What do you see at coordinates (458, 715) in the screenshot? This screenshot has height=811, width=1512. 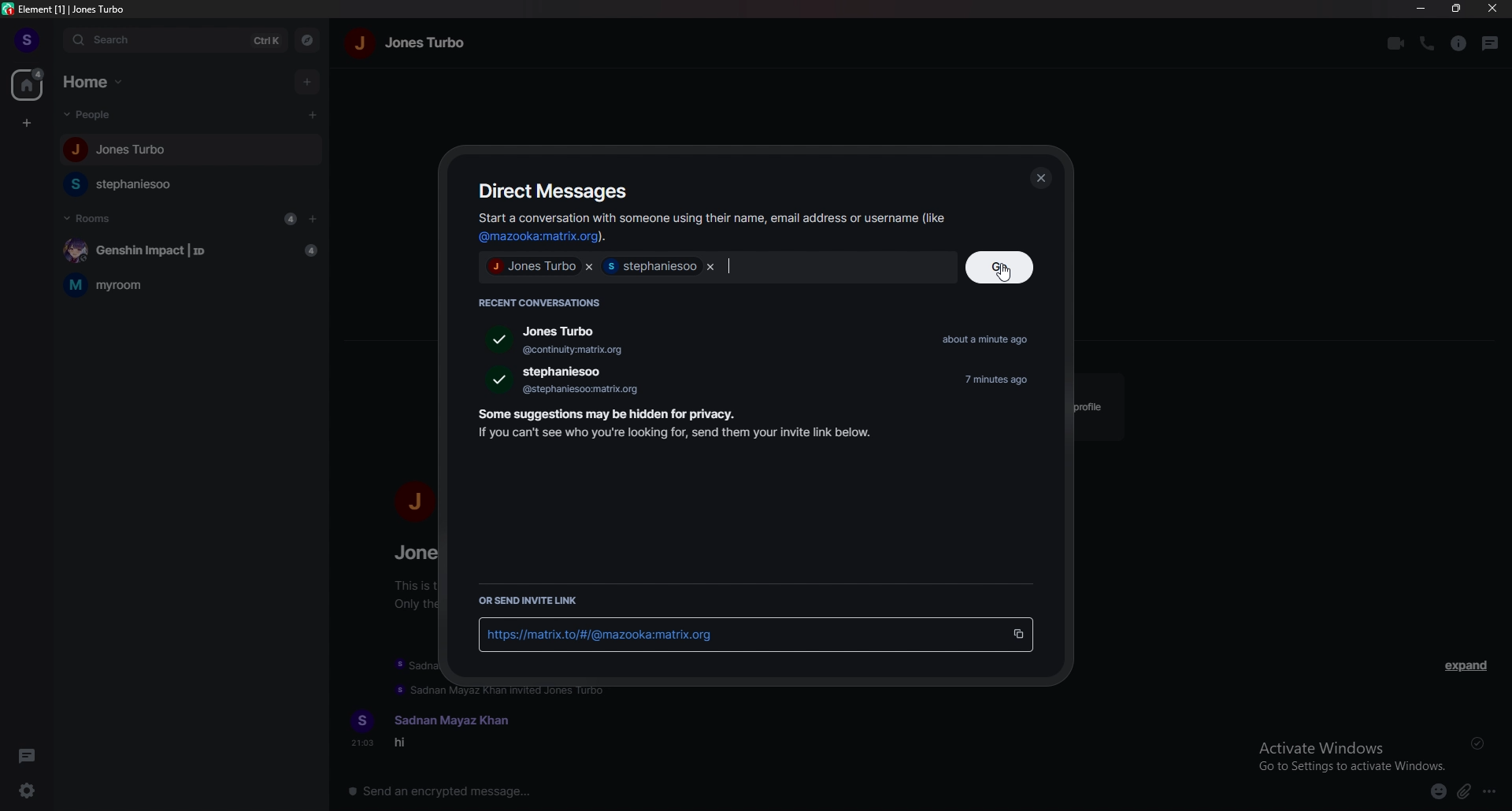 I see `Sadnan Mayaz Khan` at bounding box center [458, 715].